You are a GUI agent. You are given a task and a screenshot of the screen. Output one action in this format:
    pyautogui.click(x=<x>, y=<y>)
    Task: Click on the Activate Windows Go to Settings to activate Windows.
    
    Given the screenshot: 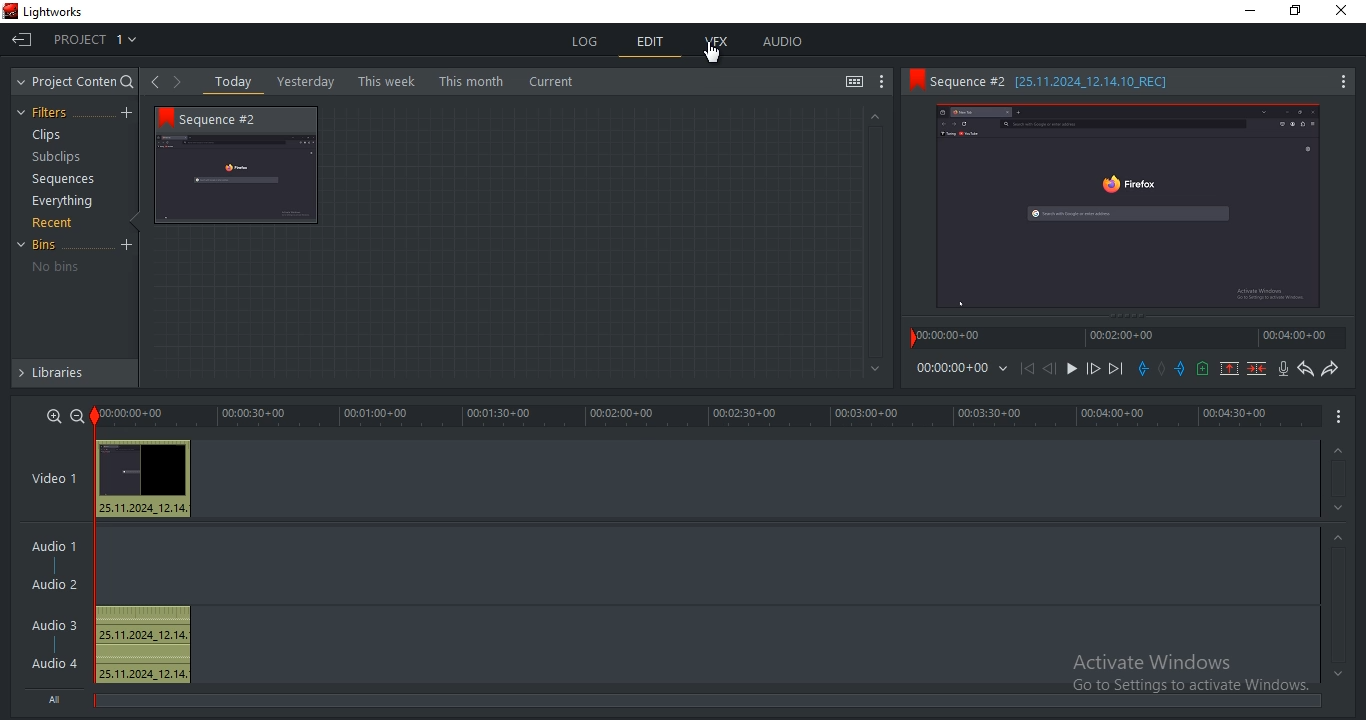 What is the action you would take?
    pyautogui.click(x=1188, y=678)
    